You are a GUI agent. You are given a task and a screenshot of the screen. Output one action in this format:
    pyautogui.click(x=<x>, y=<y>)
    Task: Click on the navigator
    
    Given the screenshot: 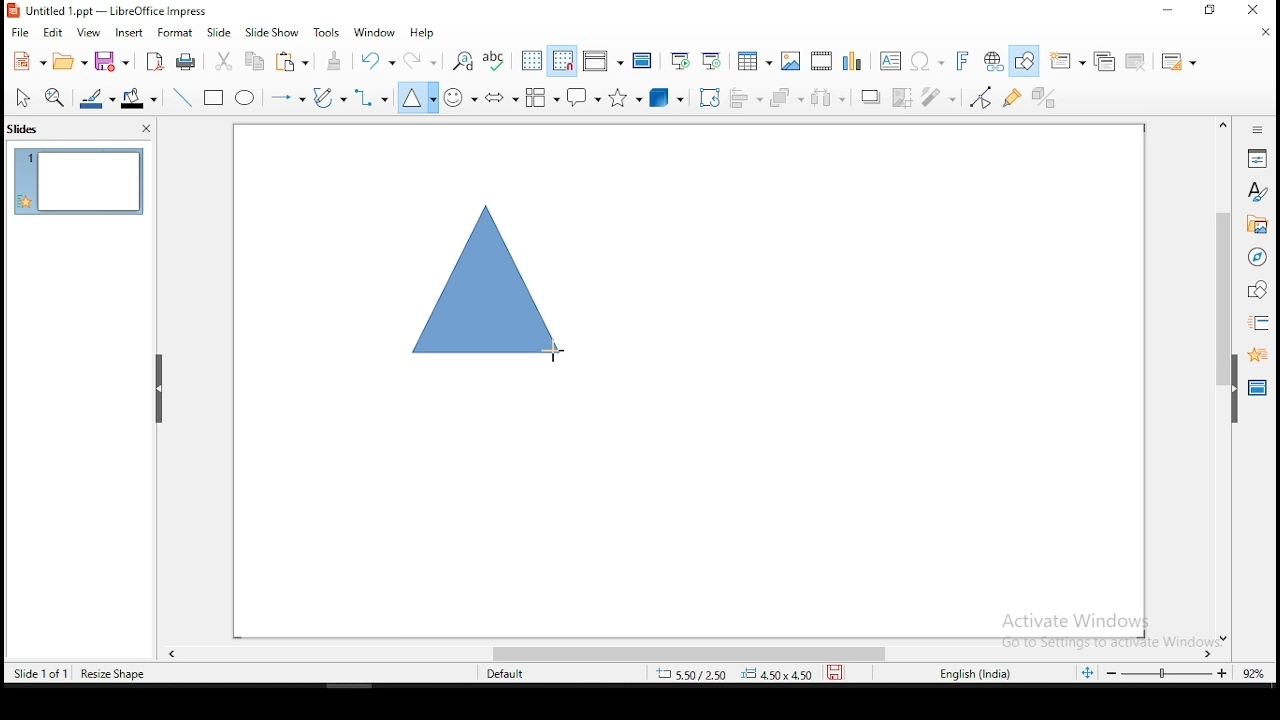 What is the action you would take?
    pyautogui.click(x=1259, y=260)
    